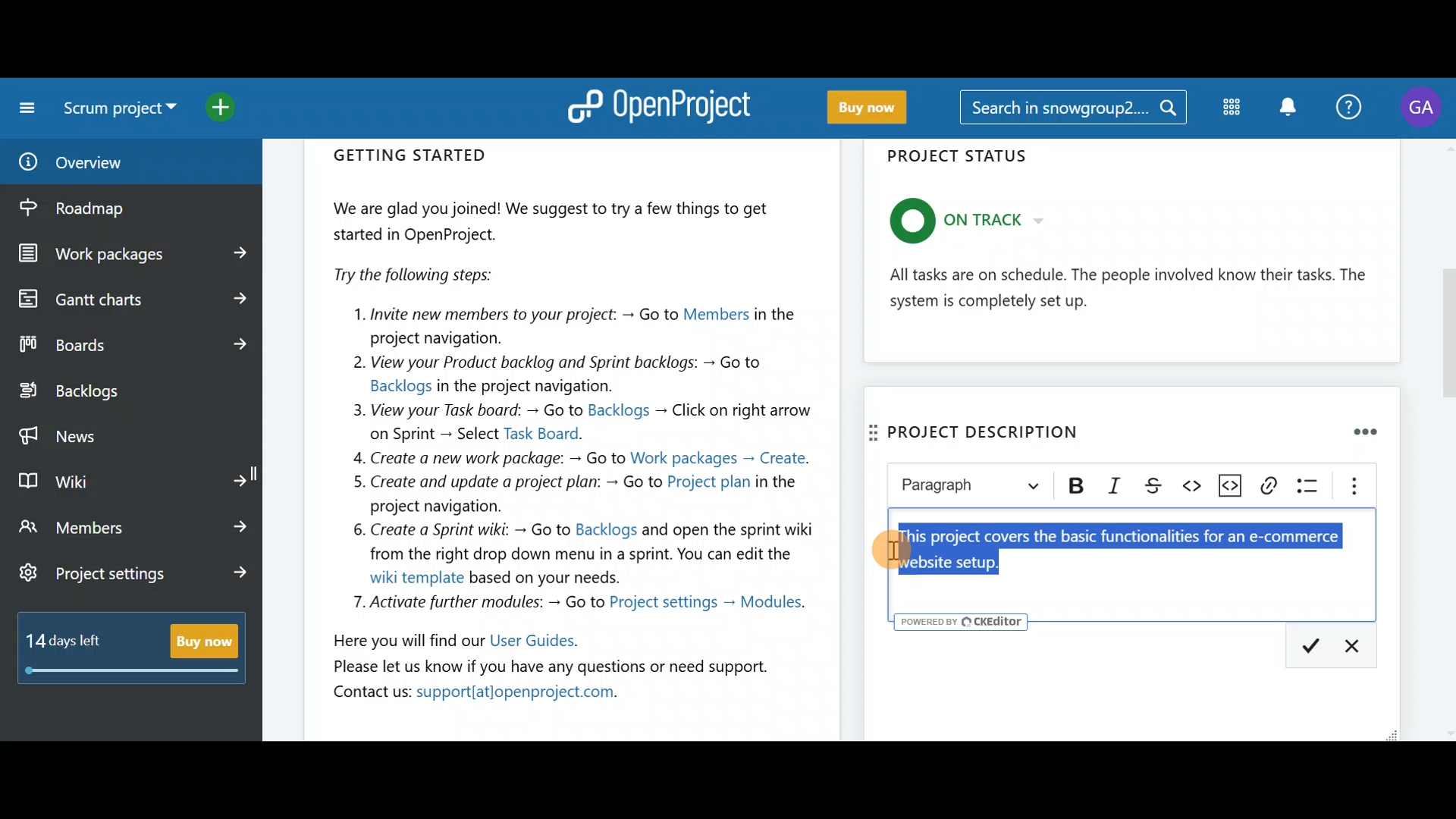 The image size is (1456, 819). What do you see at coordinates (131, 344) in the screenshot?
I see `Boards` at bounding box center [131, 344].